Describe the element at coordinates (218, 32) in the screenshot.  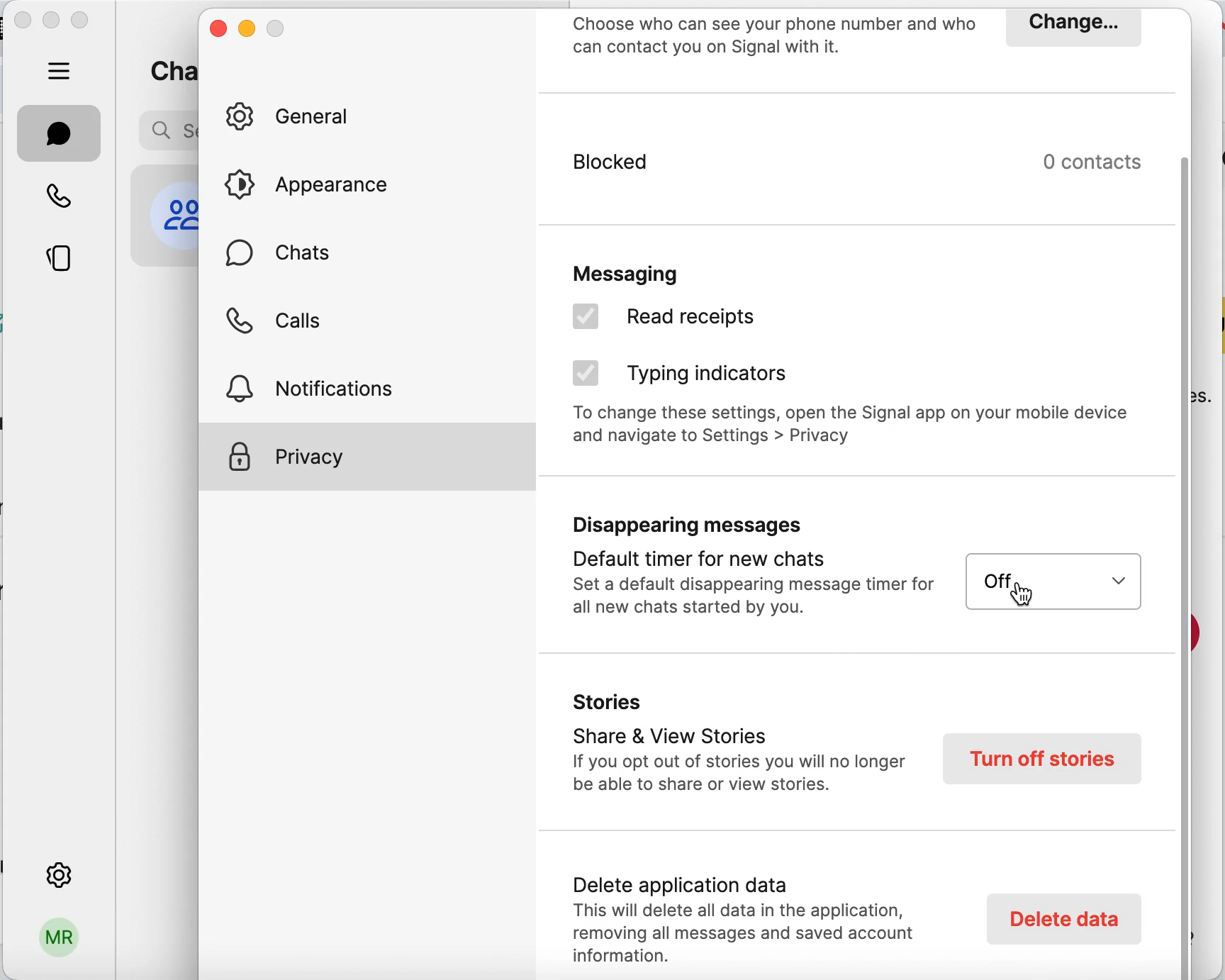
I see `close` at that location.